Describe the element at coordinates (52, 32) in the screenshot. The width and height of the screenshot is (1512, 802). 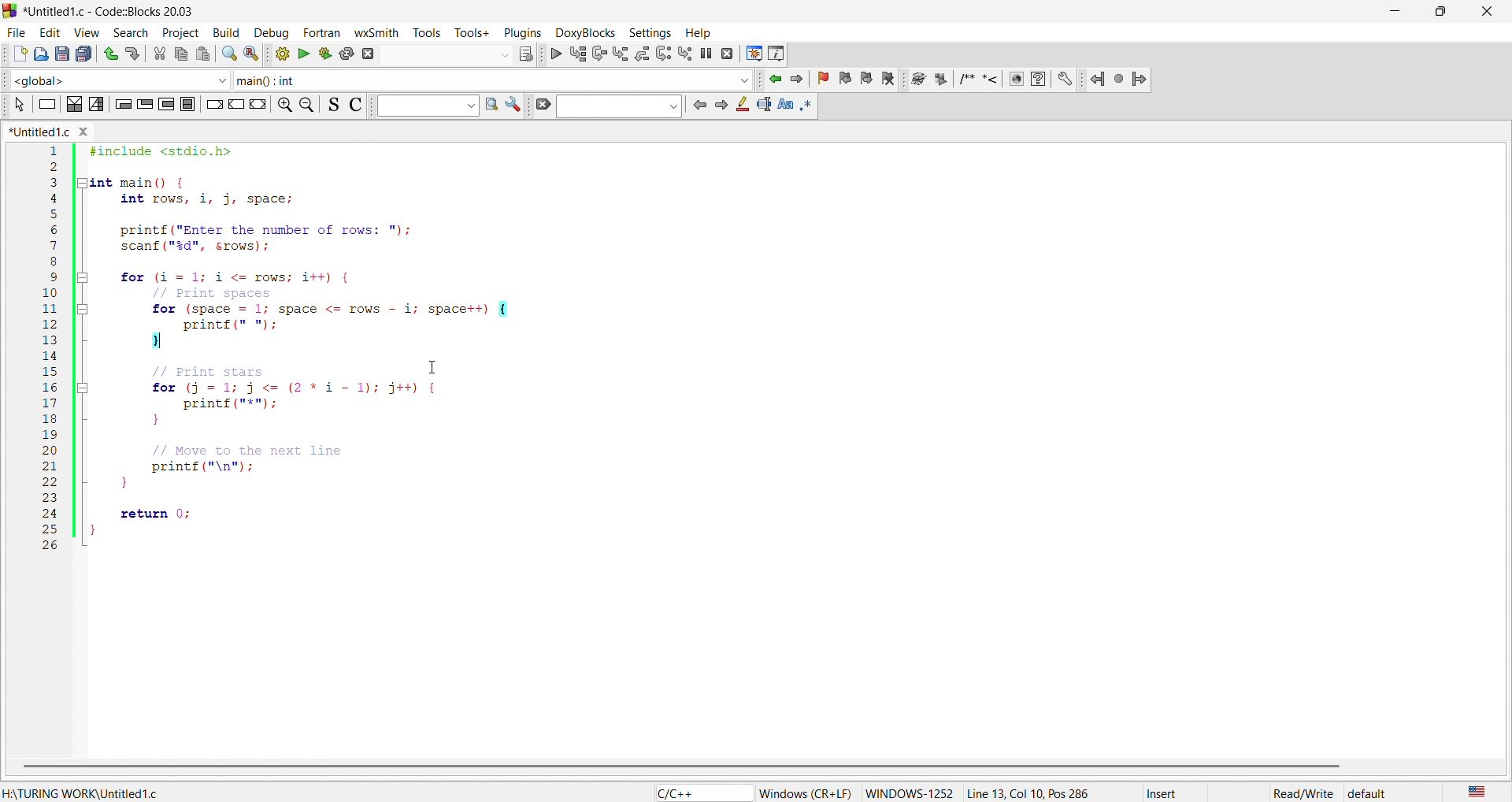
I see `edit` at that location.